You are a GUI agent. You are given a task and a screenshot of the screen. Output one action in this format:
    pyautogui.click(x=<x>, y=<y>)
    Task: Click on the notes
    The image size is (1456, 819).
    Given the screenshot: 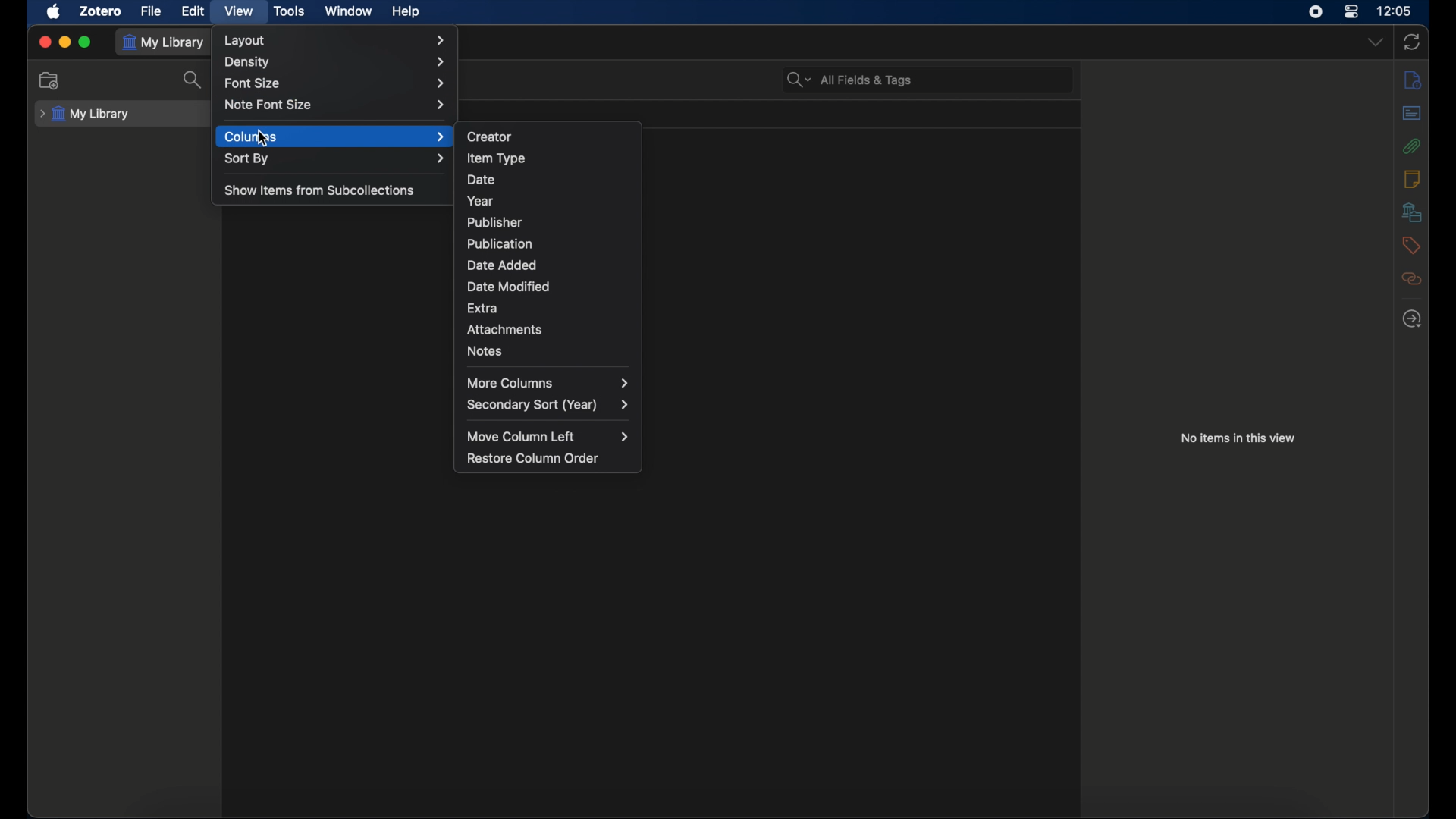 What is the action you would take?
    pyautogui.click(x=1412, y=177)
    